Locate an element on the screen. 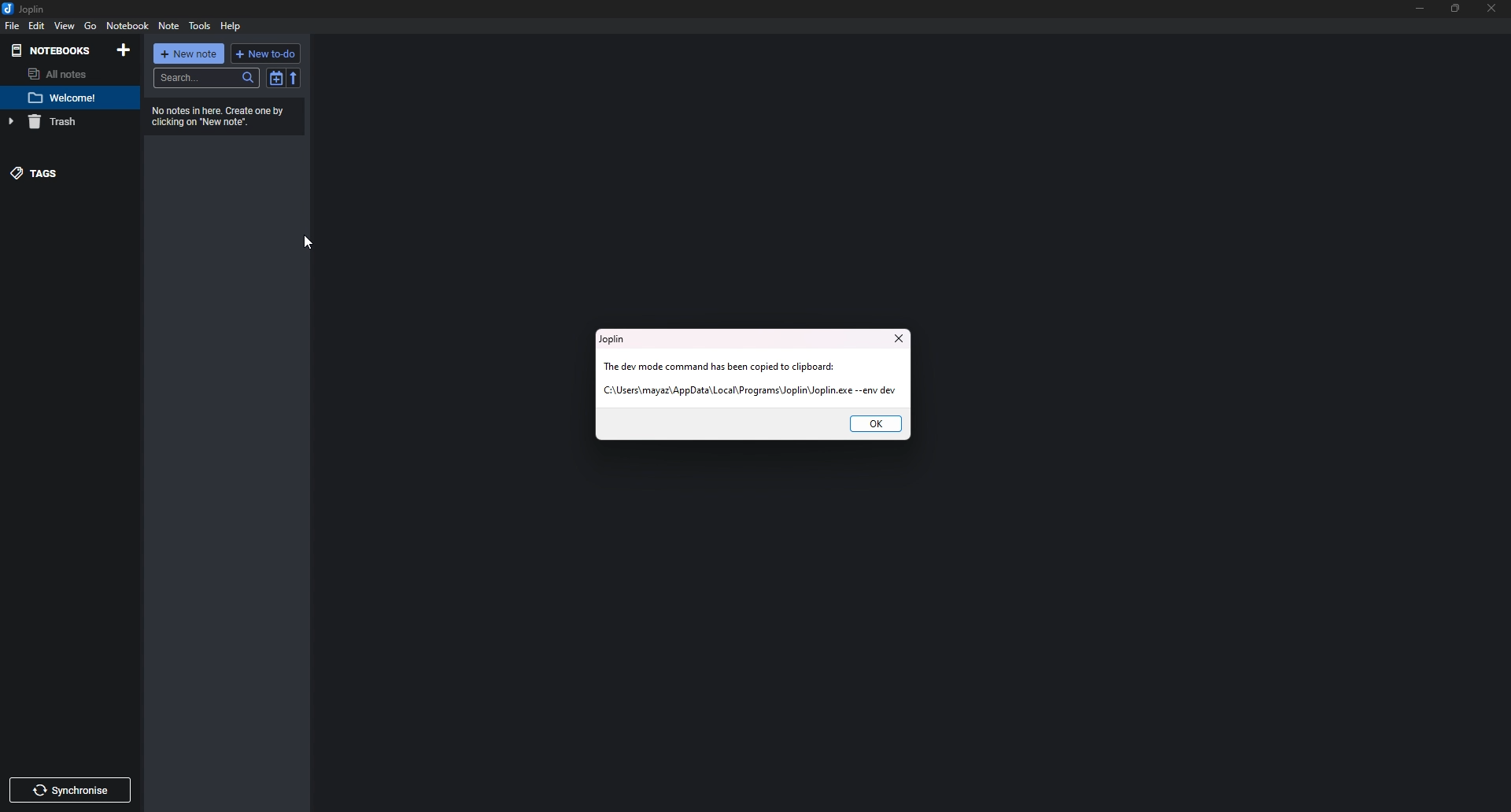 Image resolution: width=1511 pixels, height=812 pixels. close is located at coordinates (1493, 9).